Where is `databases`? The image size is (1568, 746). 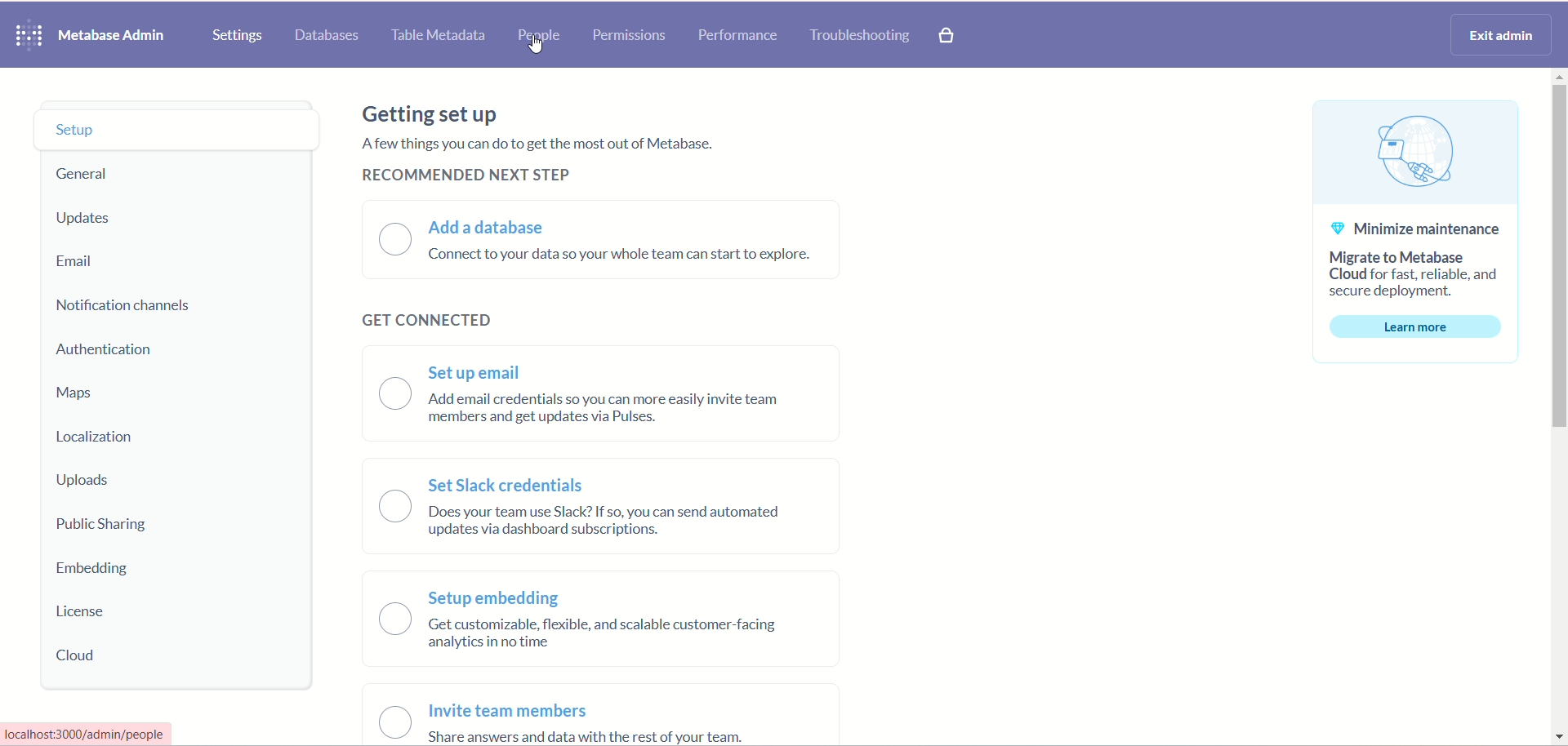
databases is located at coordinates (331, 37).